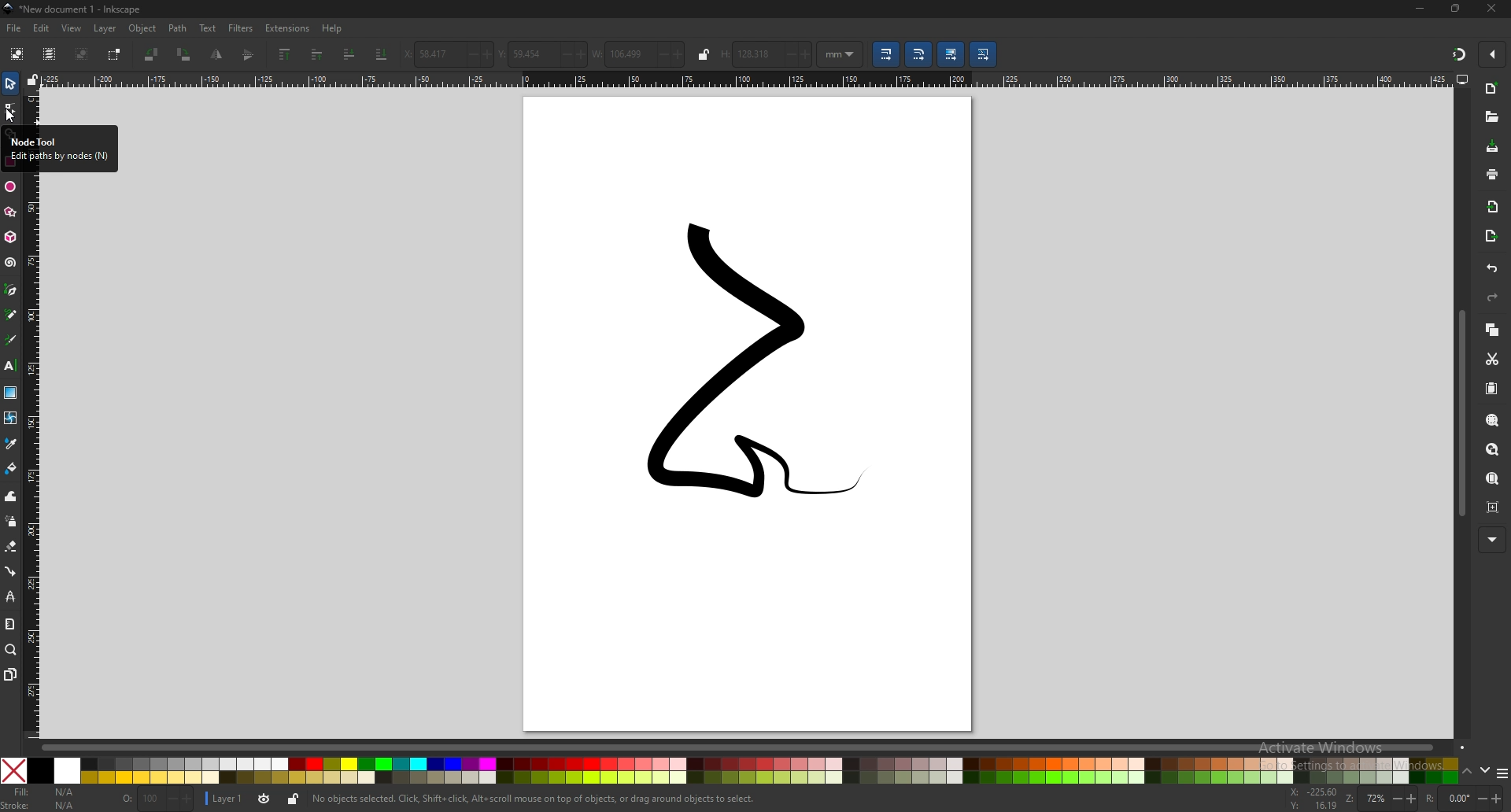 The image size is (1511, 812). What do you see at coordinates (10, 675) in the screenshot?
I see `pages` at bounding box center [10, 675].